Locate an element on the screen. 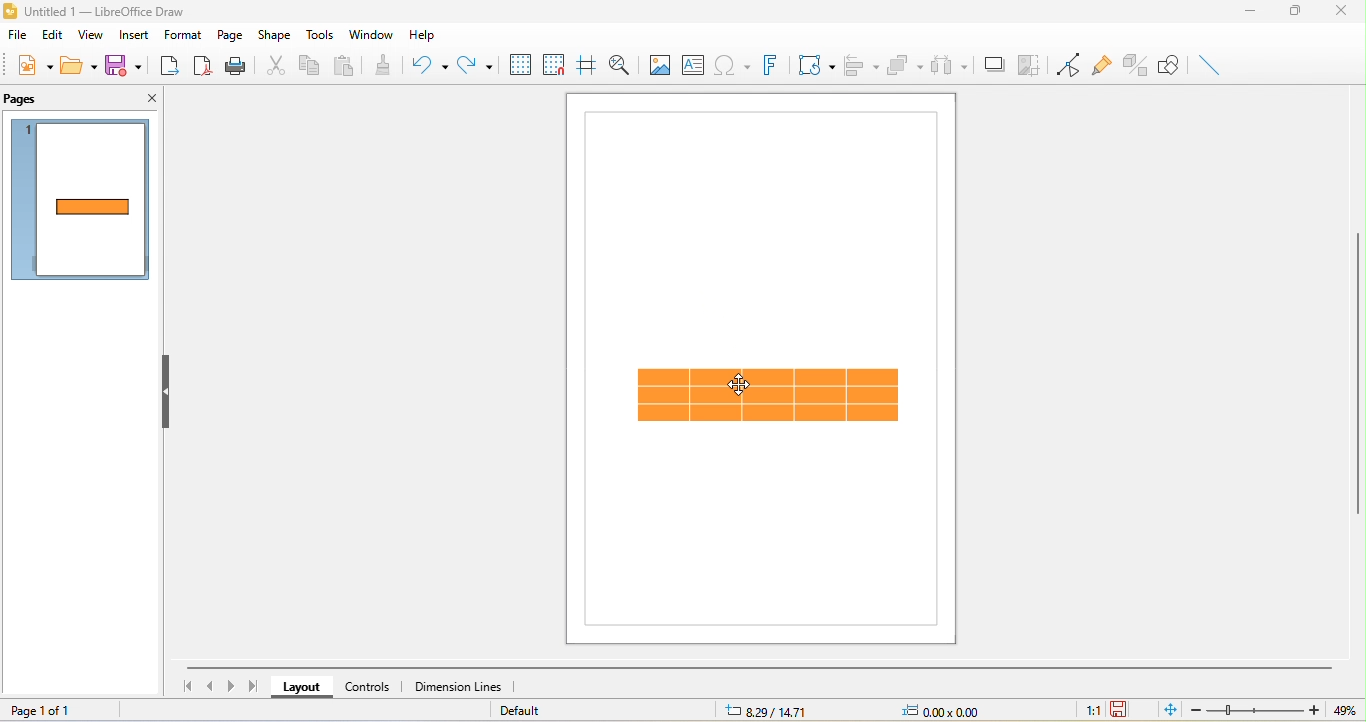 The image size is (1366, 722). next page is located at coordinates (234, 686).